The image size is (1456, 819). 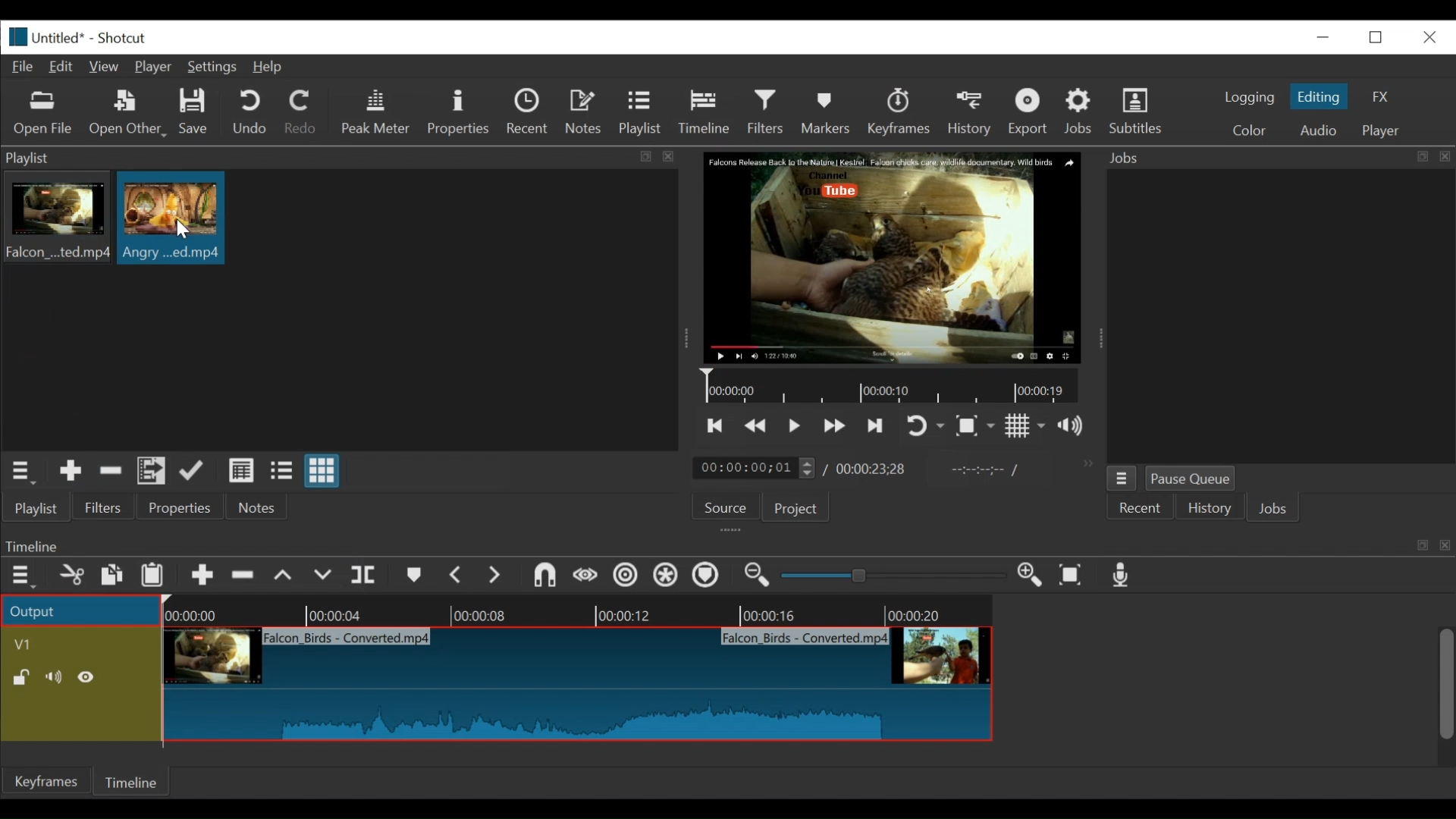 What do you see at coordinates (1122, 476) in the screenshot?
I see `jobs menu` at bounding box center [1122, 476].